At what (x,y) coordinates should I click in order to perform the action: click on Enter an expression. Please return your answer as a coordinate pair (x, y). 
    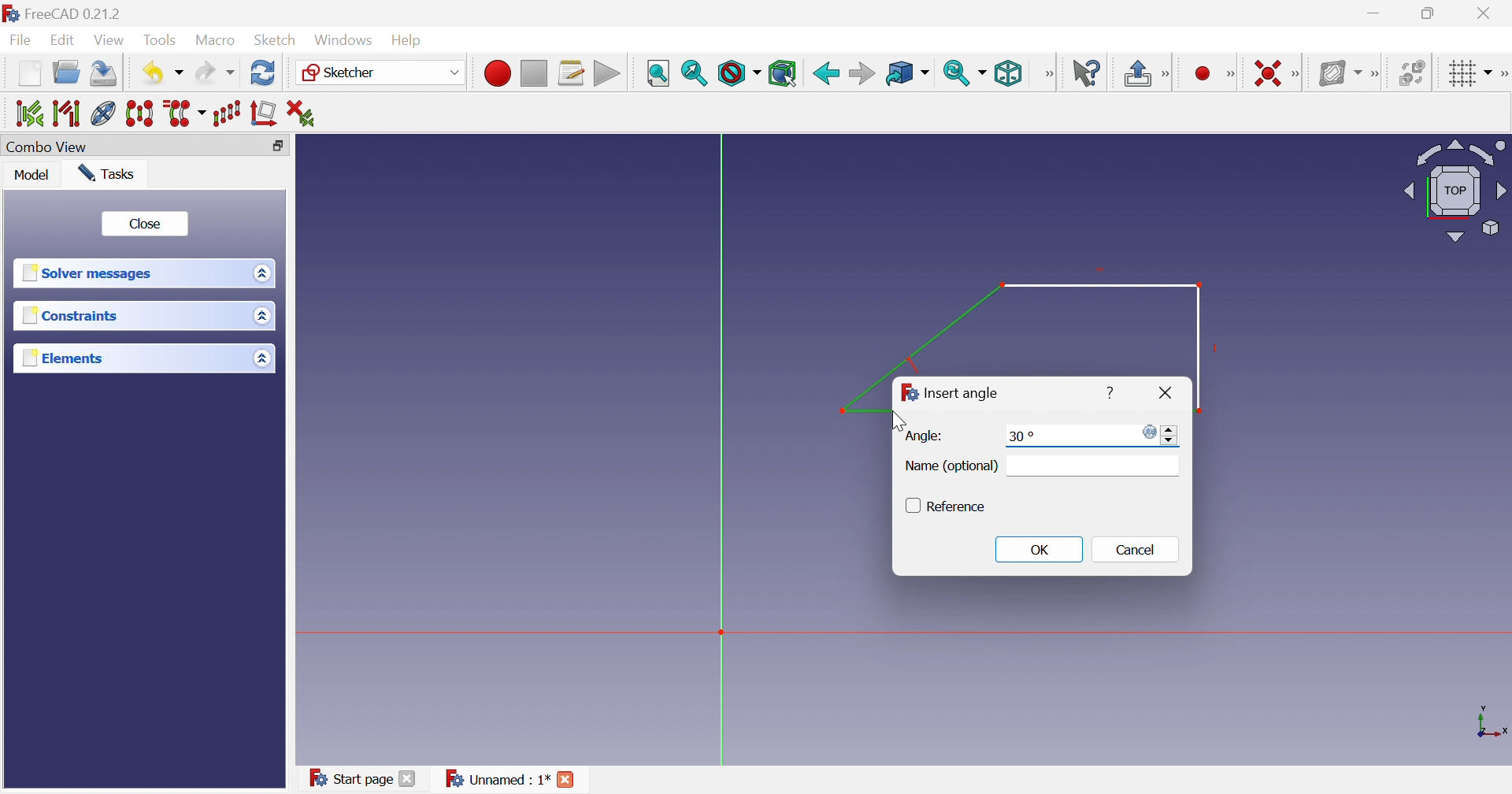
    Looking at the image, I should click on (1146, 432).